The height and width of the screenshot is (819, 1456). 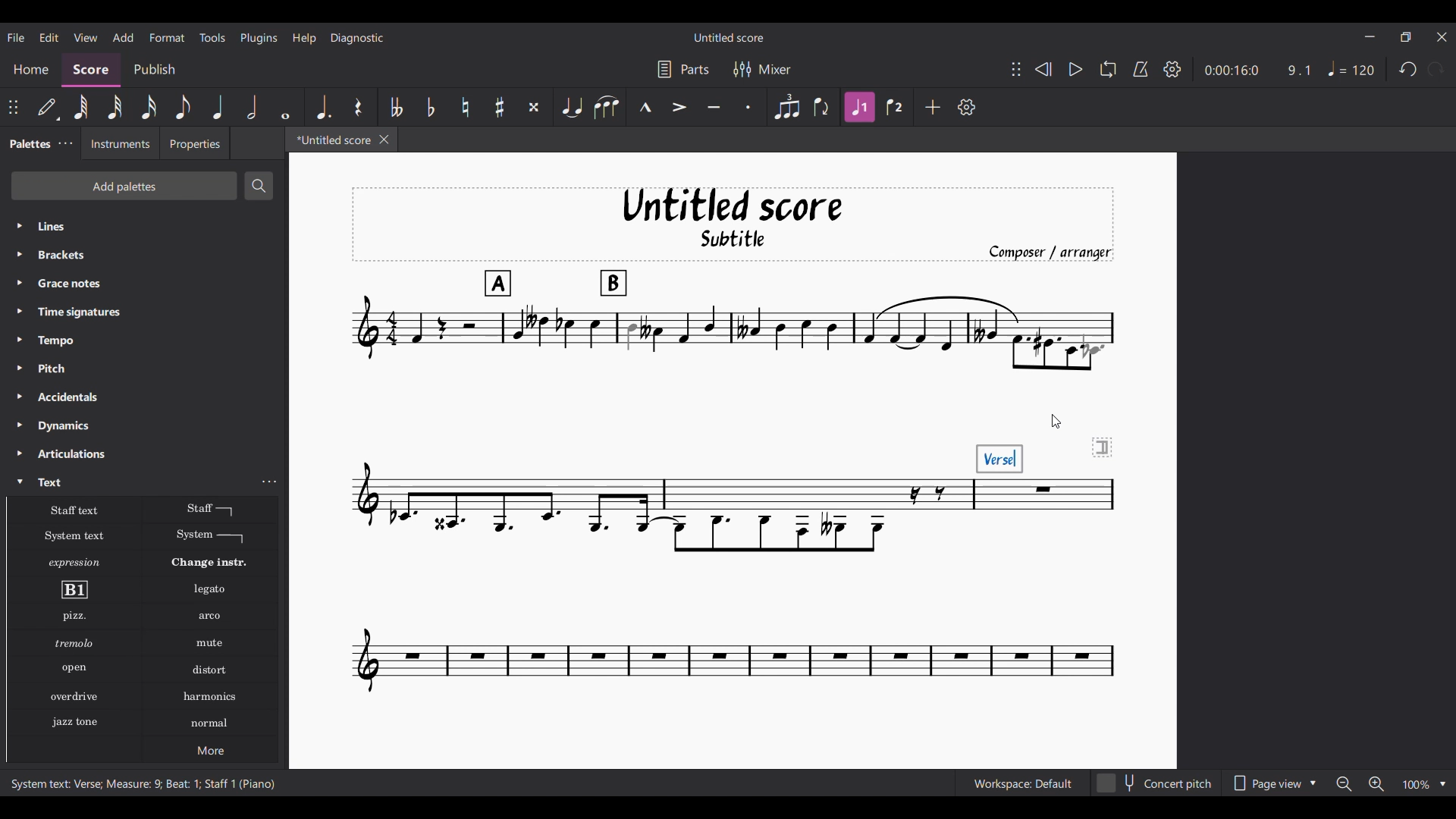 I want to click on Verse, so click(x=1000, y=458).